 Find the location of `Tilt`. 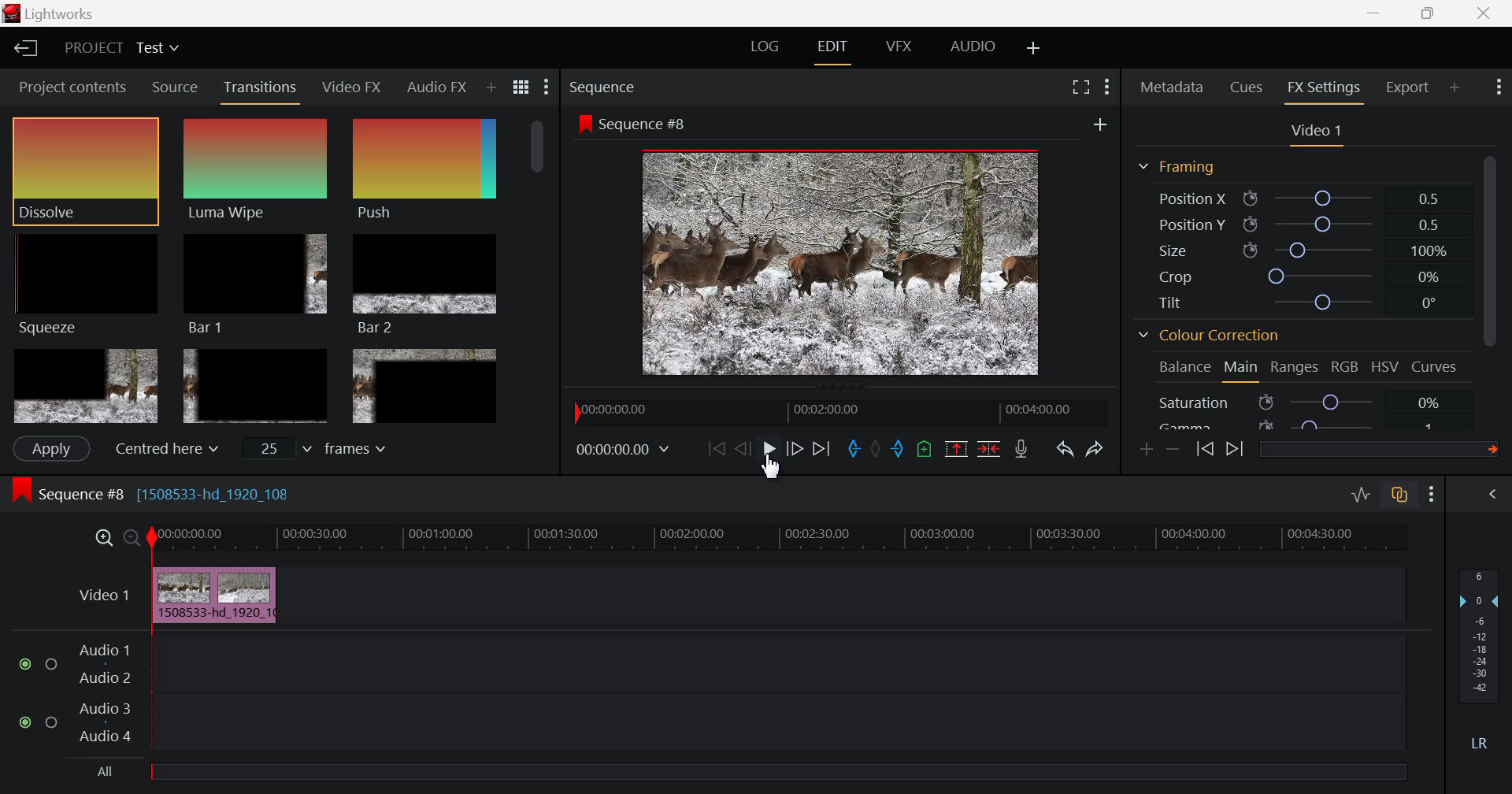

Tilt is located at coordinates (1303, 304).